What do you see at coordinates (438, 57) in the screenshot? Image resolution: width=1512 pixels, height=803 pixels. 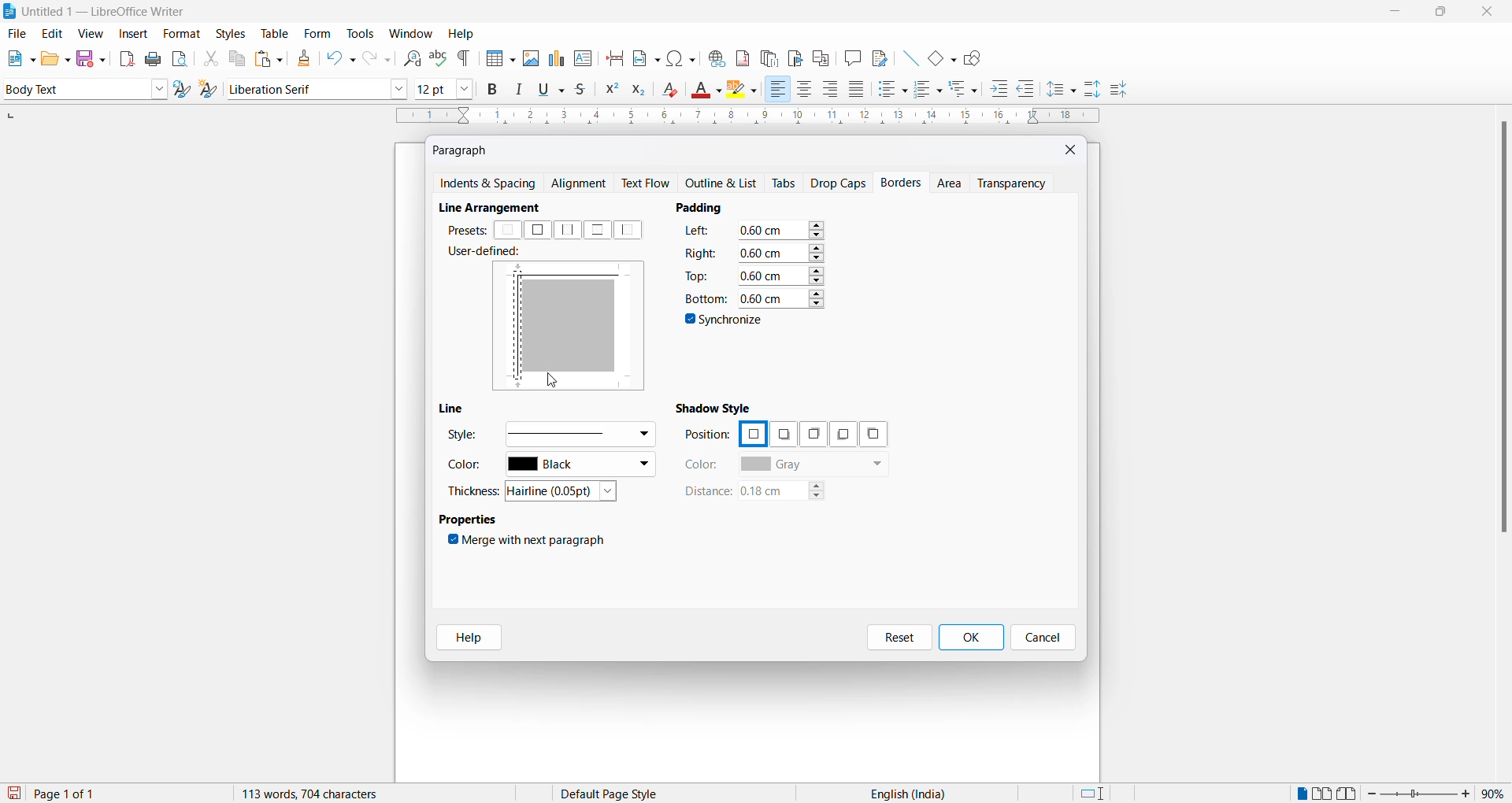 I see `spellings` at bounding box center [438, 57].